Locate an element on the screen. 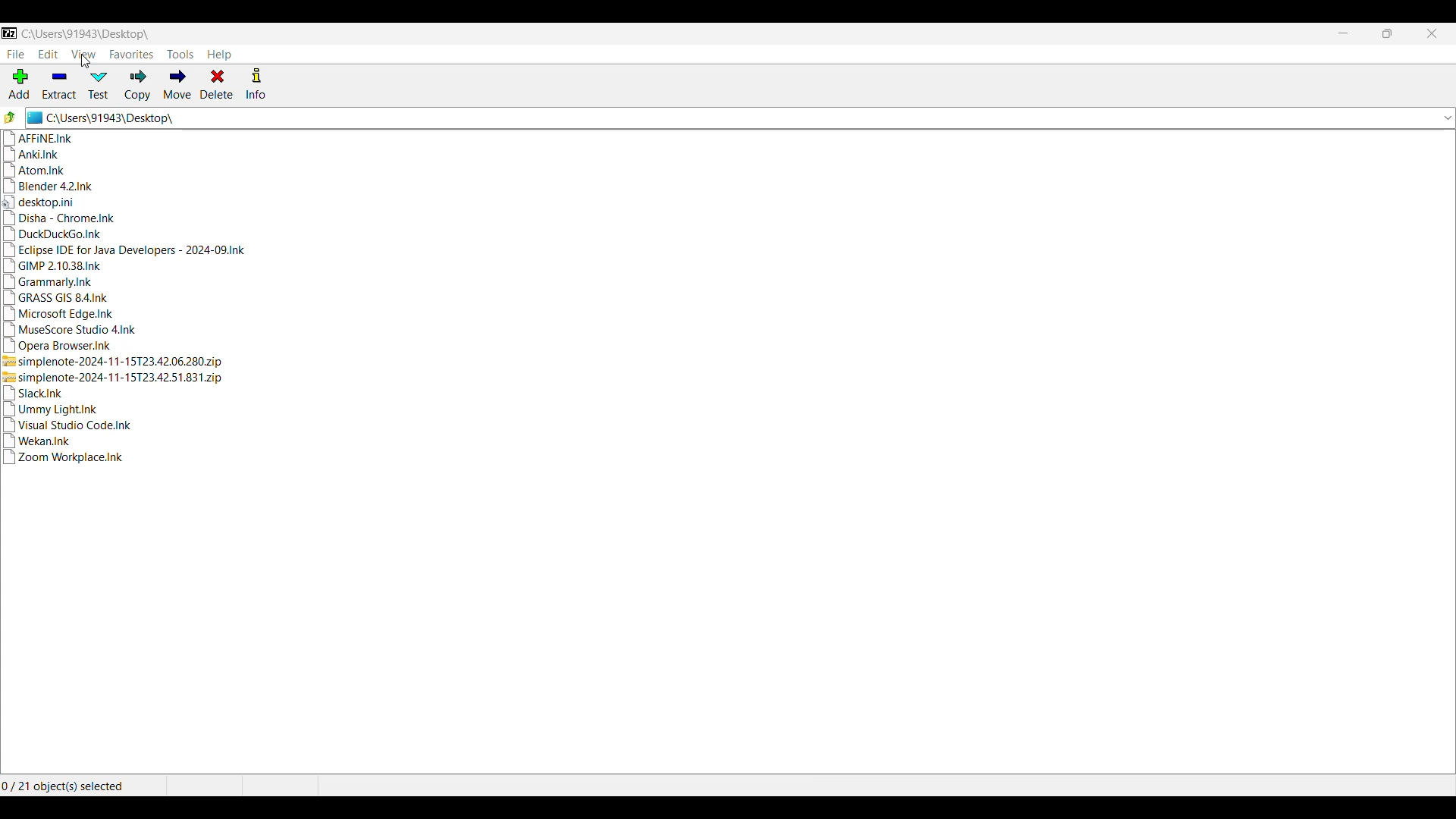  cursor is located at coordinates (86, 60).